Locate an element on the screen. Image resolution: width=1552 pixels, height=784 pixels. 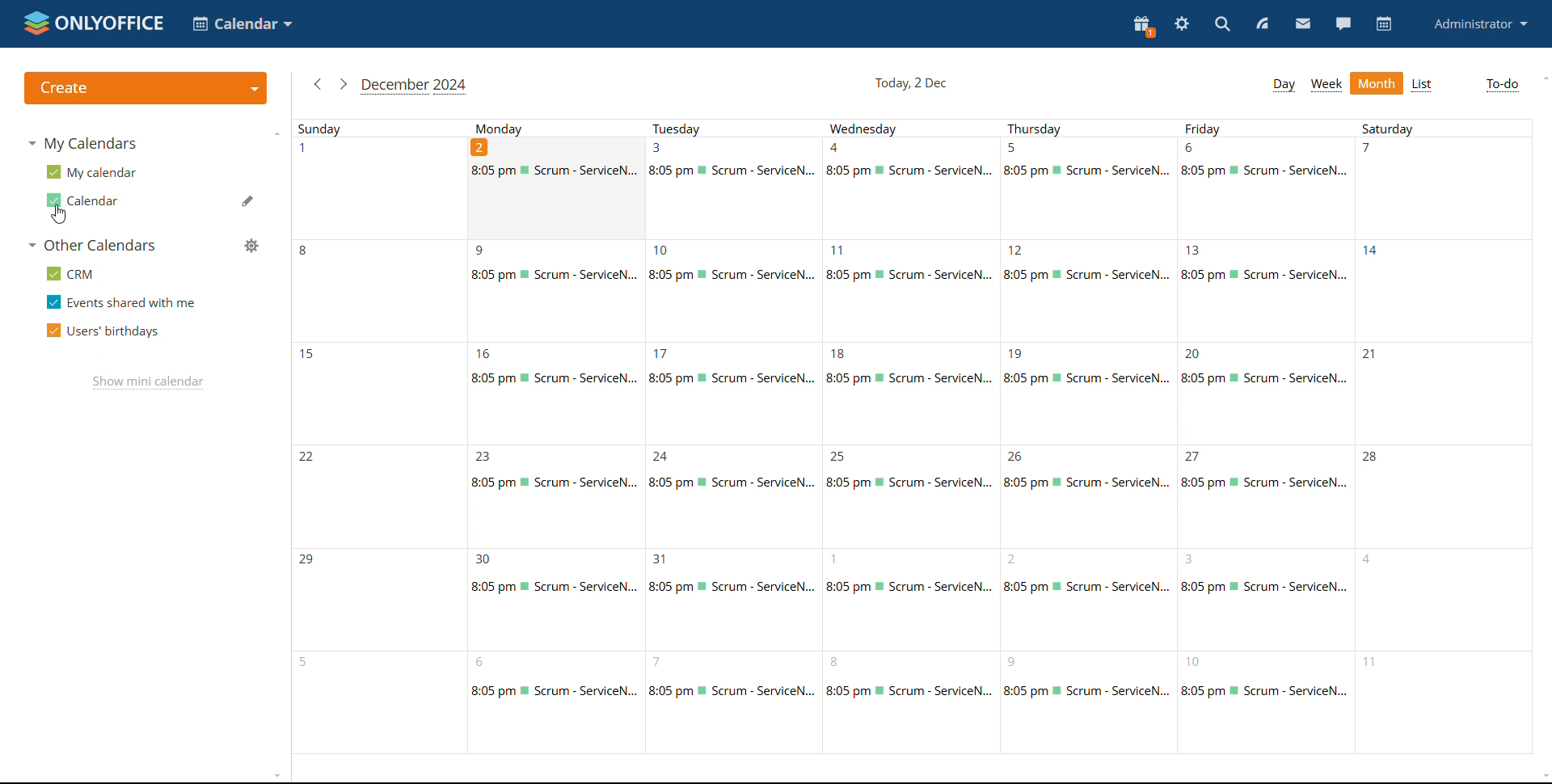
show mini calendar is located at coordinates (148, 382).